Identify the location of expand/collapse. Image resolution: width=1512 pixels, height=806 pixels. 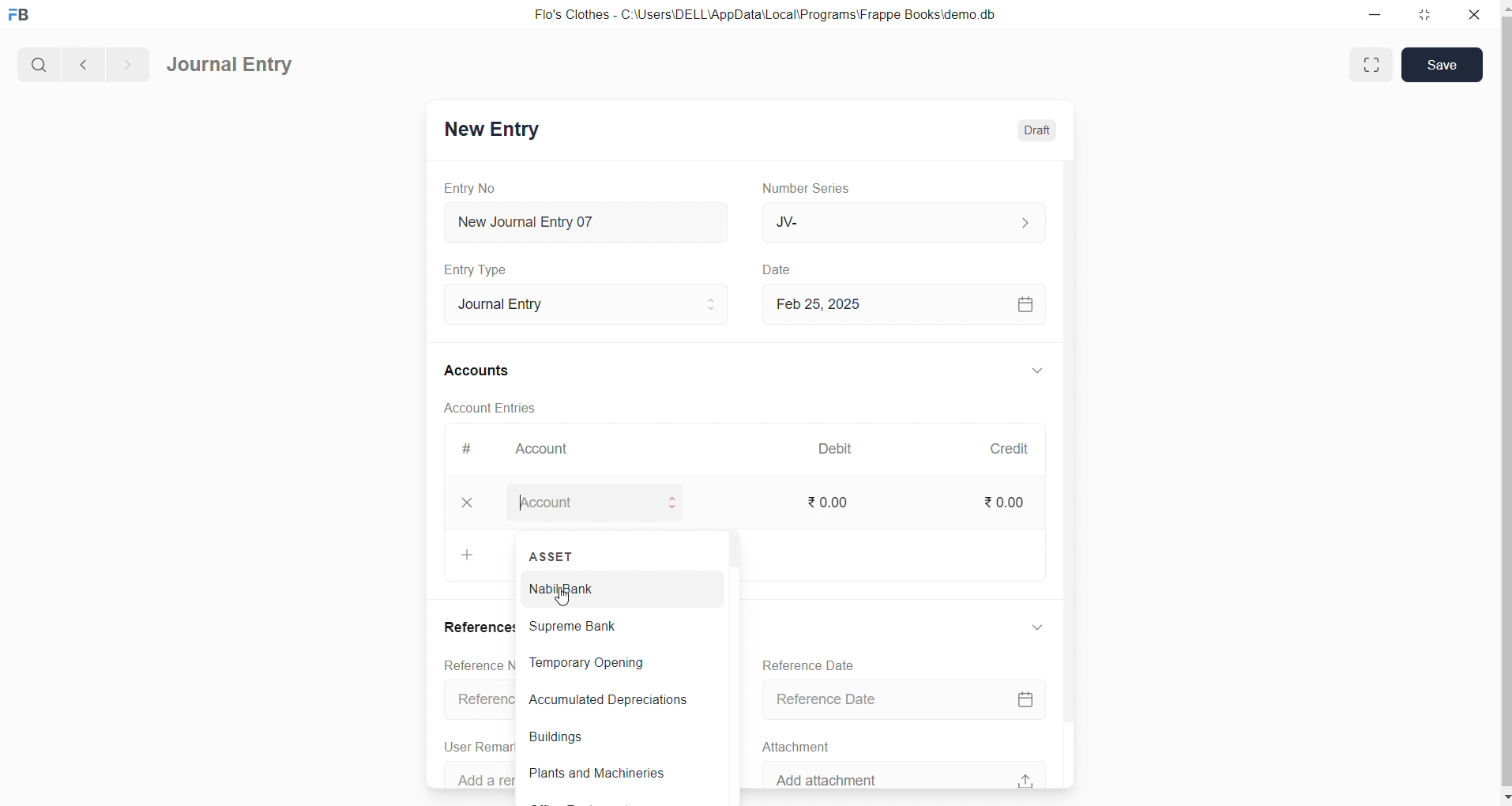
(1039, 371).